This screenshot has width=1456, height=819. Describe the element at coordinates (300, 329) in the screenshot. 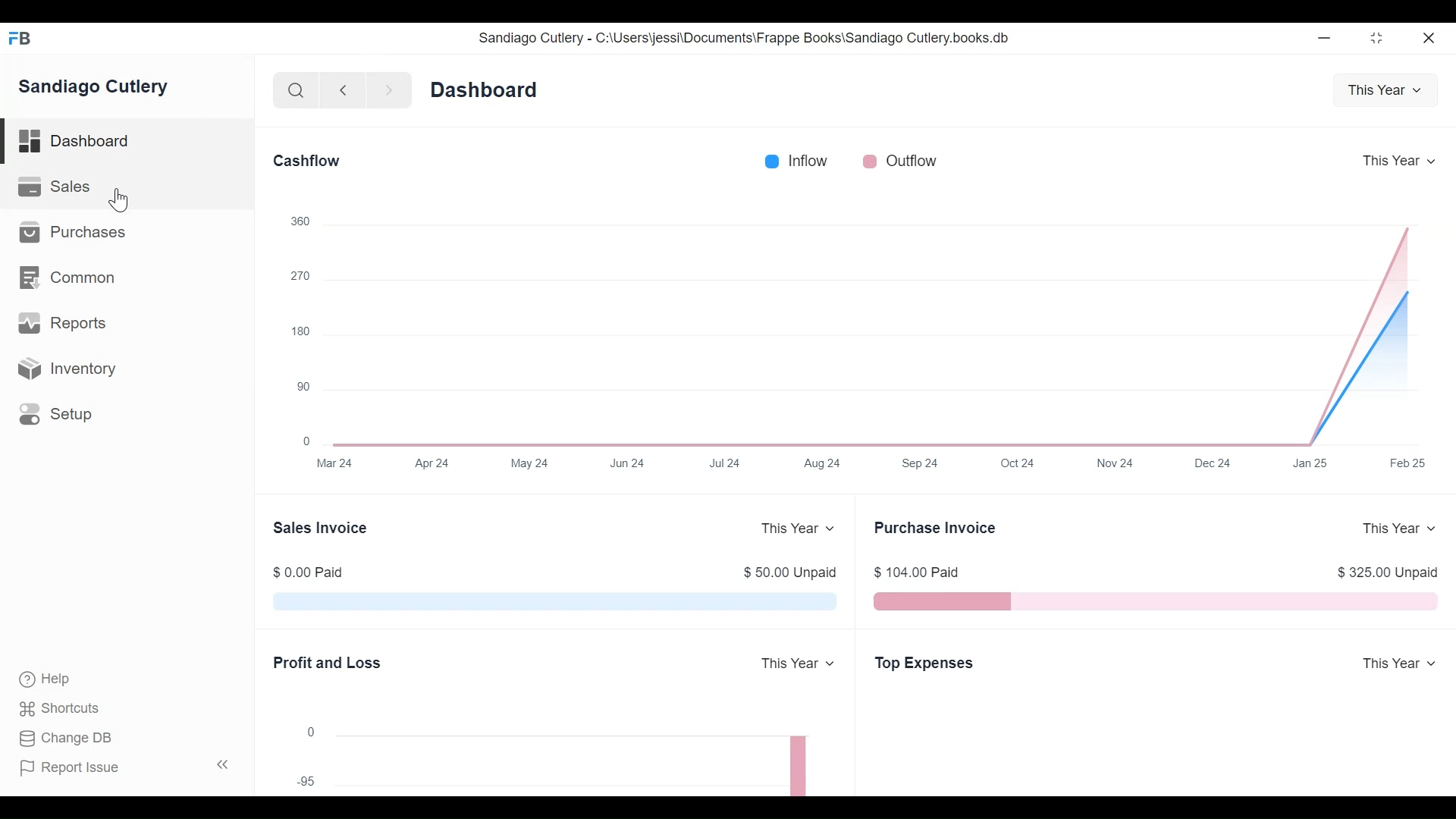

I see `180` at that location.